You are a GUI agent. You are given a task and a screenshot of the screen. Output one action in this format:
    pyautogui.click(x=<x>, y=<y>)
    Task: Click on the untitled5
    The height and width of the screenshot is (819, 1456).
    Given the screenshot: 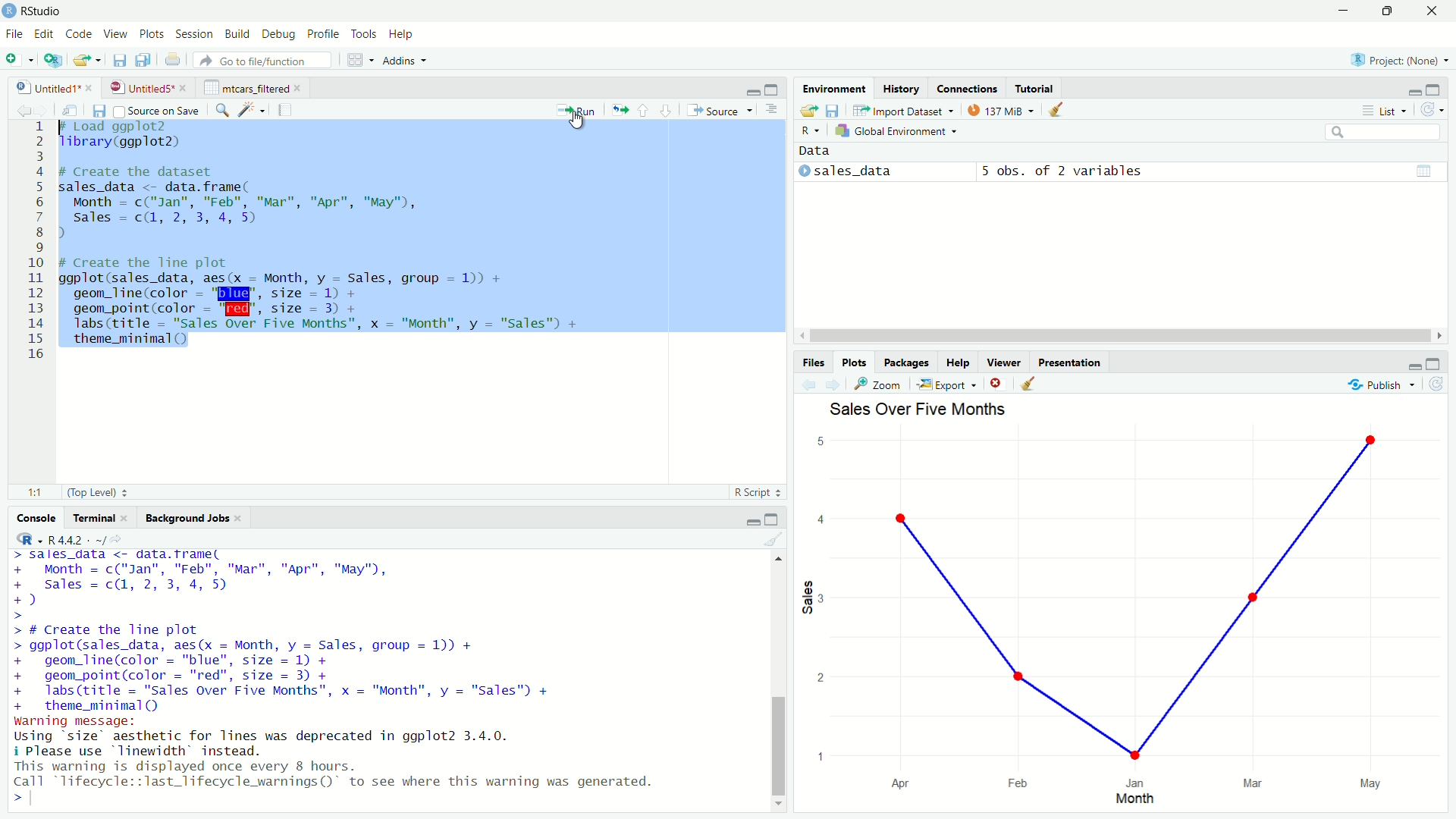 What is the action you would take?
    pyautogui.click(x=140, y=88)
    